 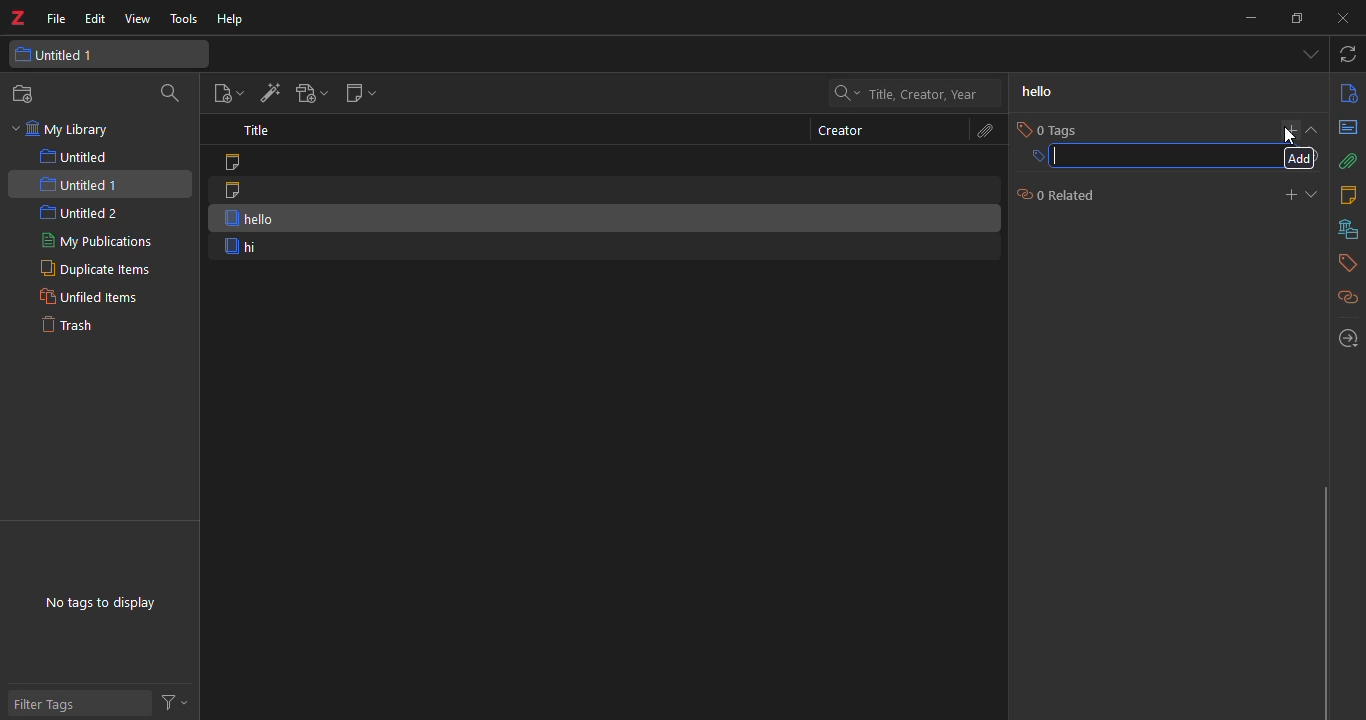 What do you see at coordinates (261, 132) in the screenshot?
I see `title` at bounding box center [261, 132].